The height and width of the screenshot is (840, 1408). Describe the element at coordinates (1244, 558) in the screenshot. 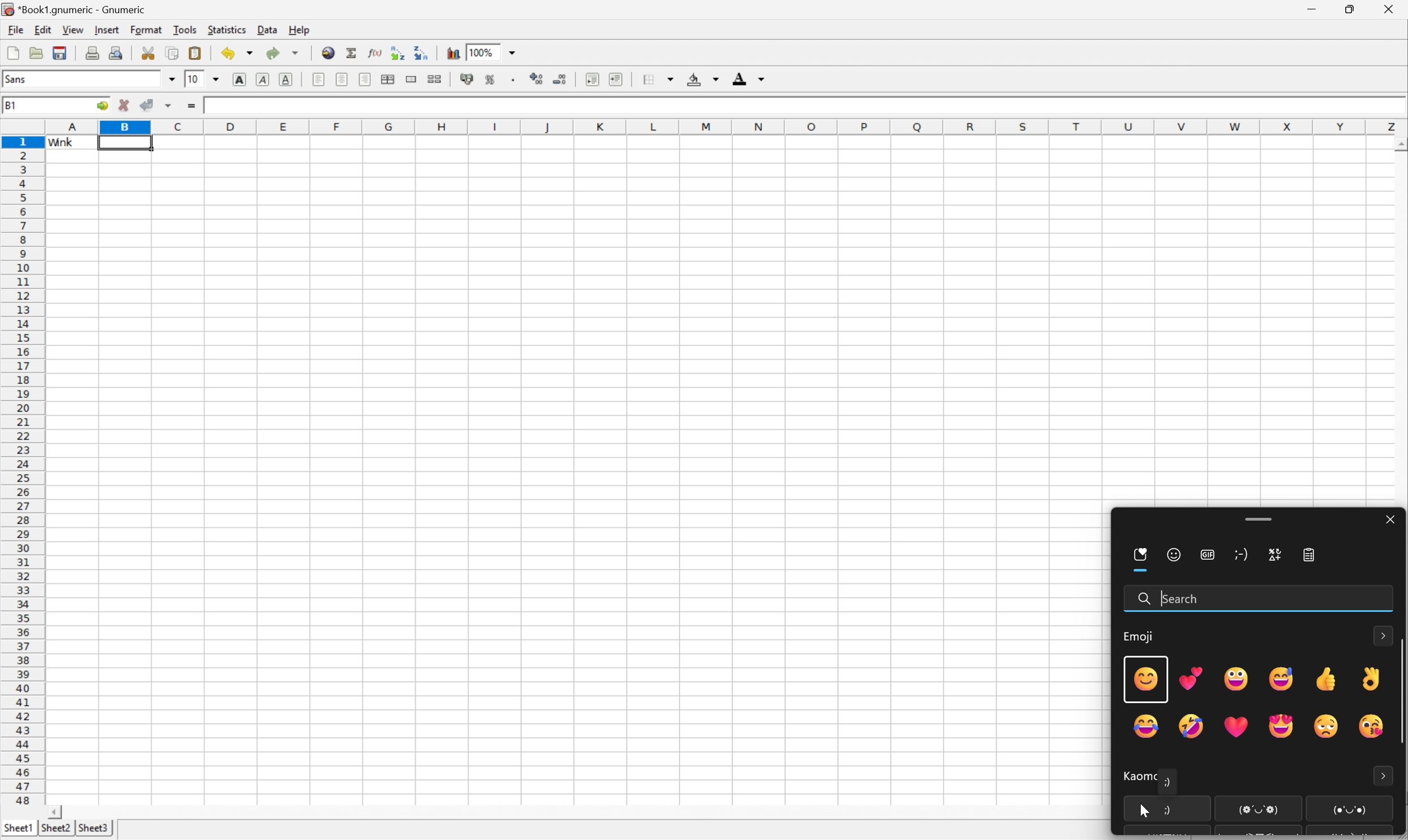

I see `kaomoji` at that location.